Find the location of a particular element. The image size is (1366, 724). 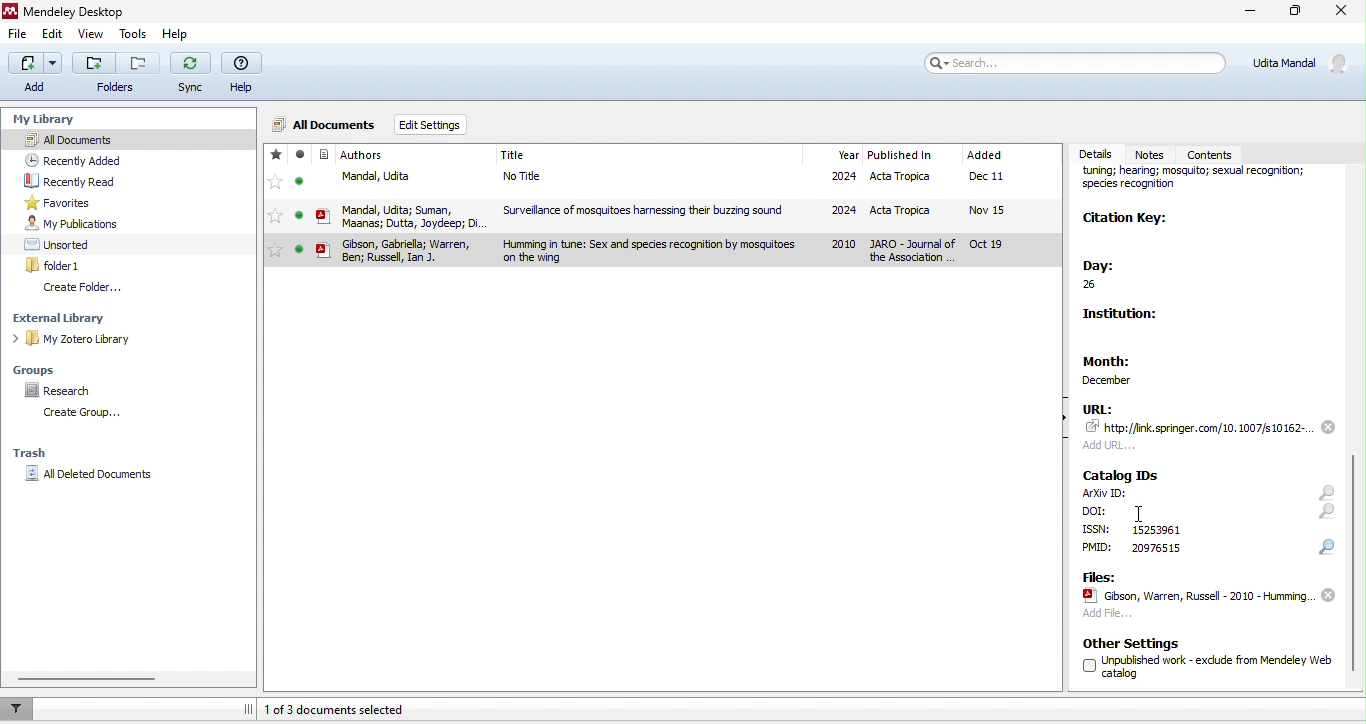

trash is located at coordinates (32, 455).